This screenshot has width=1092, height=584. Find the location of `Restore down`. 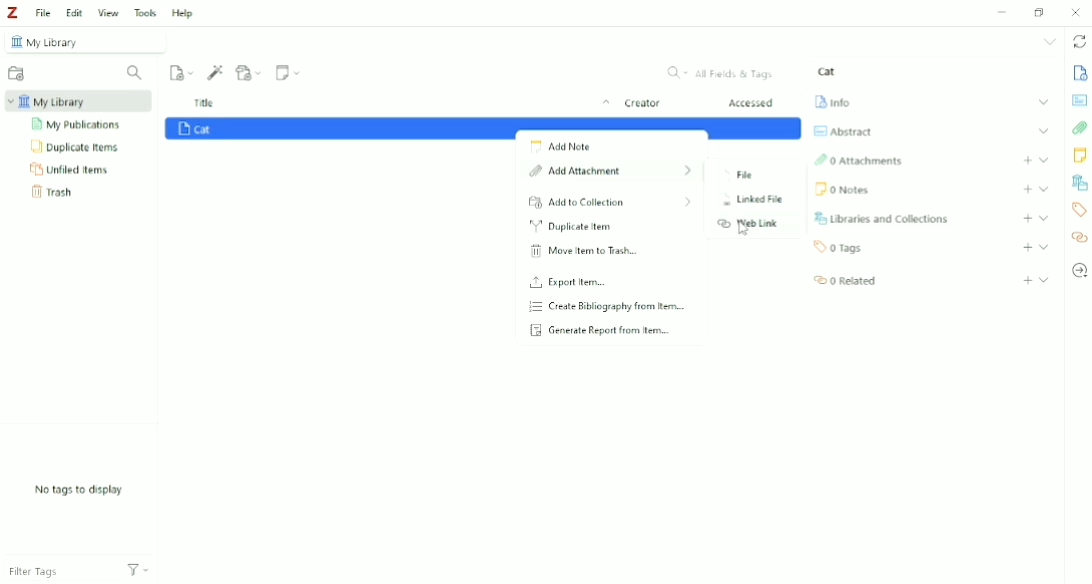

Restore down is located at coordinates (1042, 11).